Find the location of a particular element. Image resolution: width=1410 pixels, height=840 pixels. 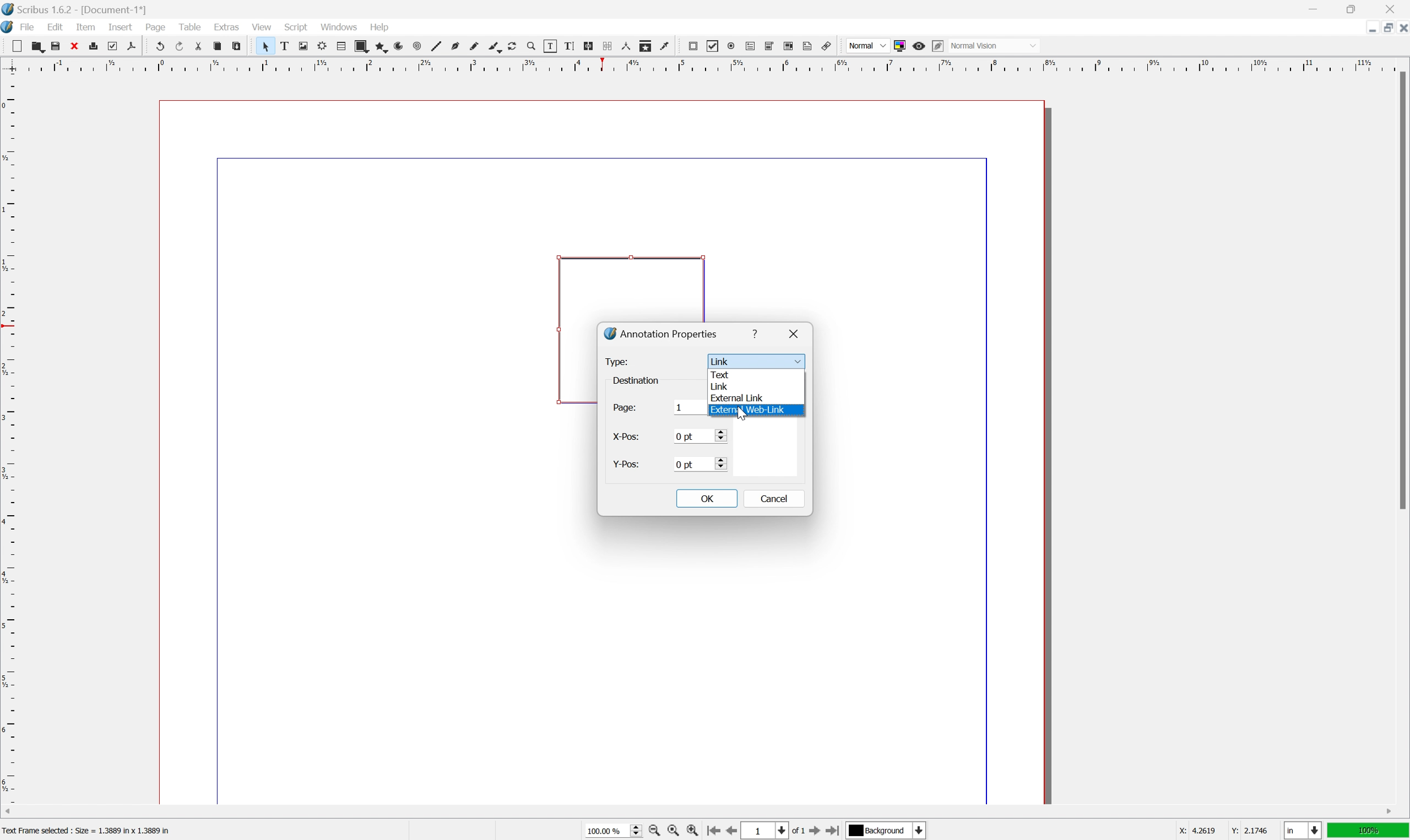

pdf list box is located at coordinates (790, 45).